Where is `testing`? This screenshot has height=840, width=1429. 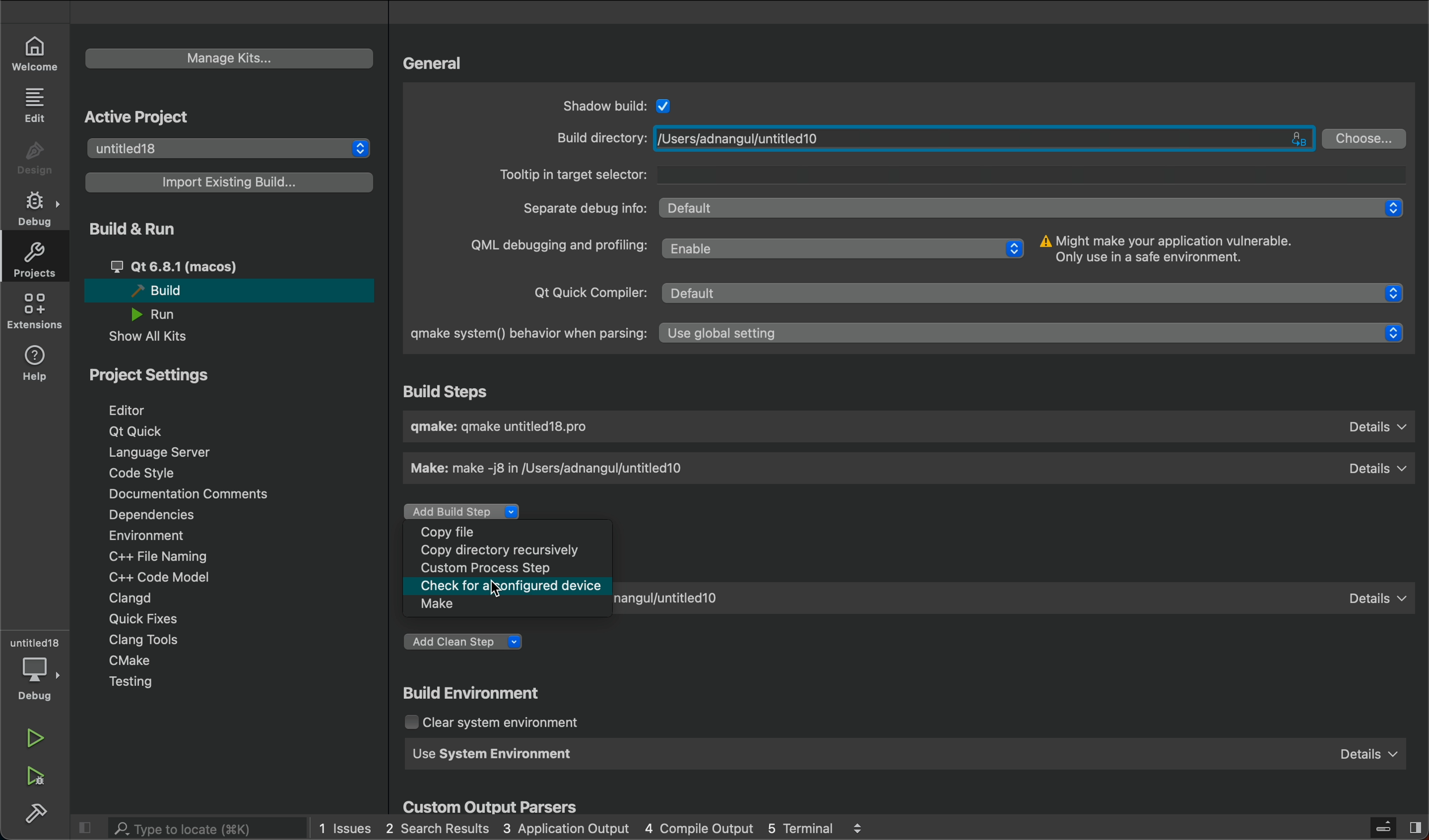
testing is located at coordinates (134, 684).